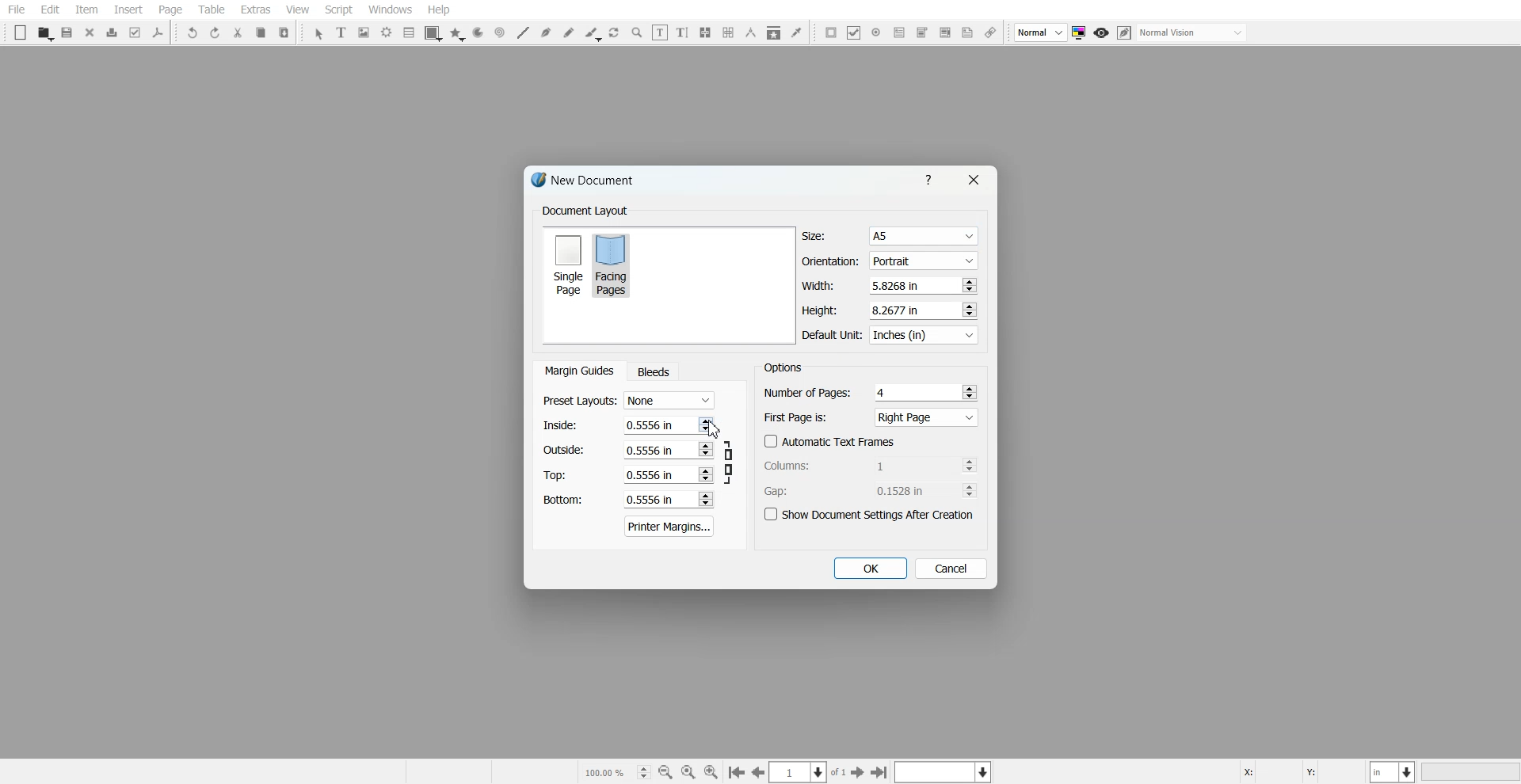 The height and width of the screenshot is (784, 1521). I want to click on Cursor, so click(715, 428).